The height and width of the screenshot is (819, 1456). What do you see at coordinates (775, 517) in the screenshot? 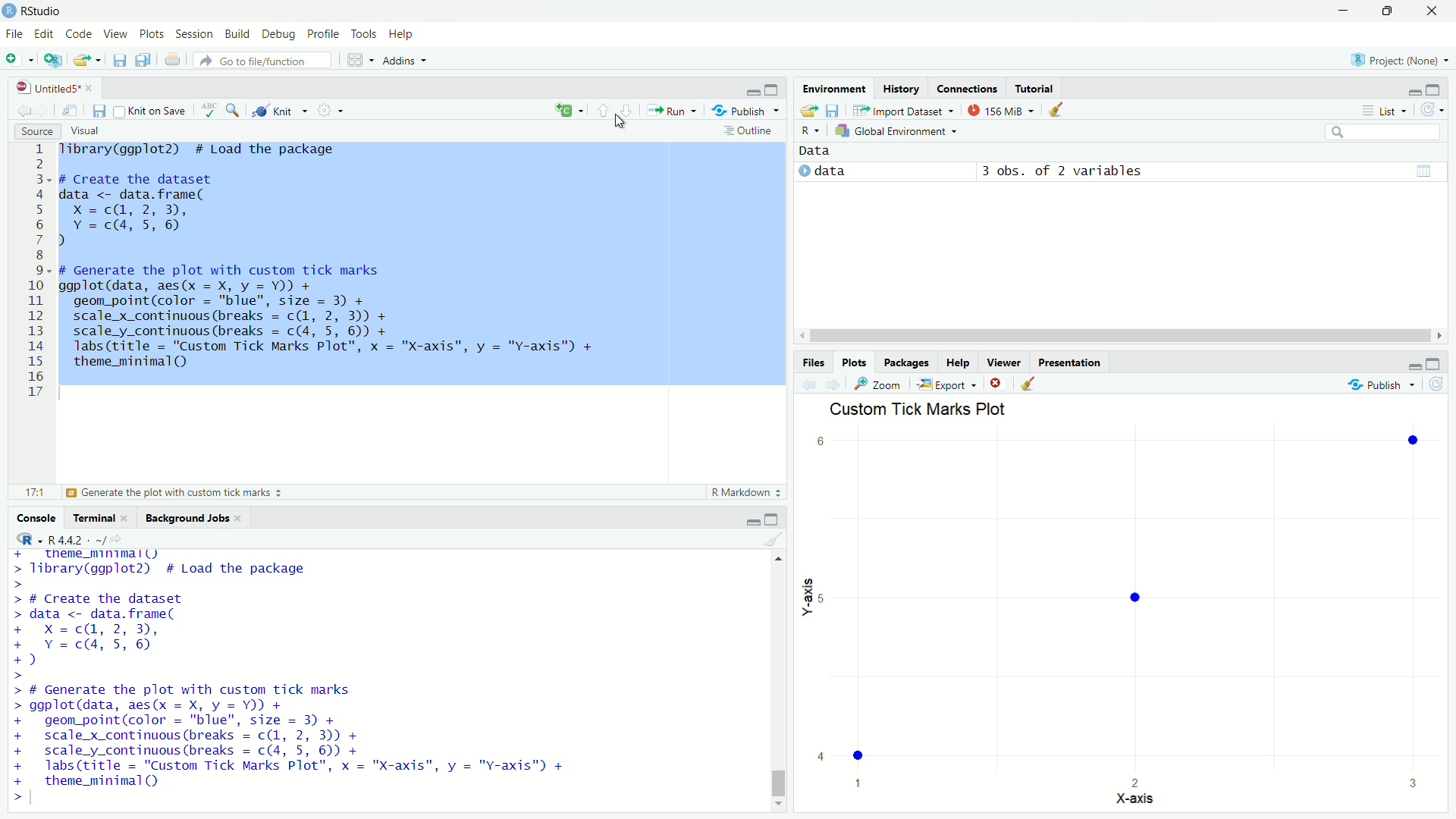
I see `maximize` at bounding box center [775, 517].